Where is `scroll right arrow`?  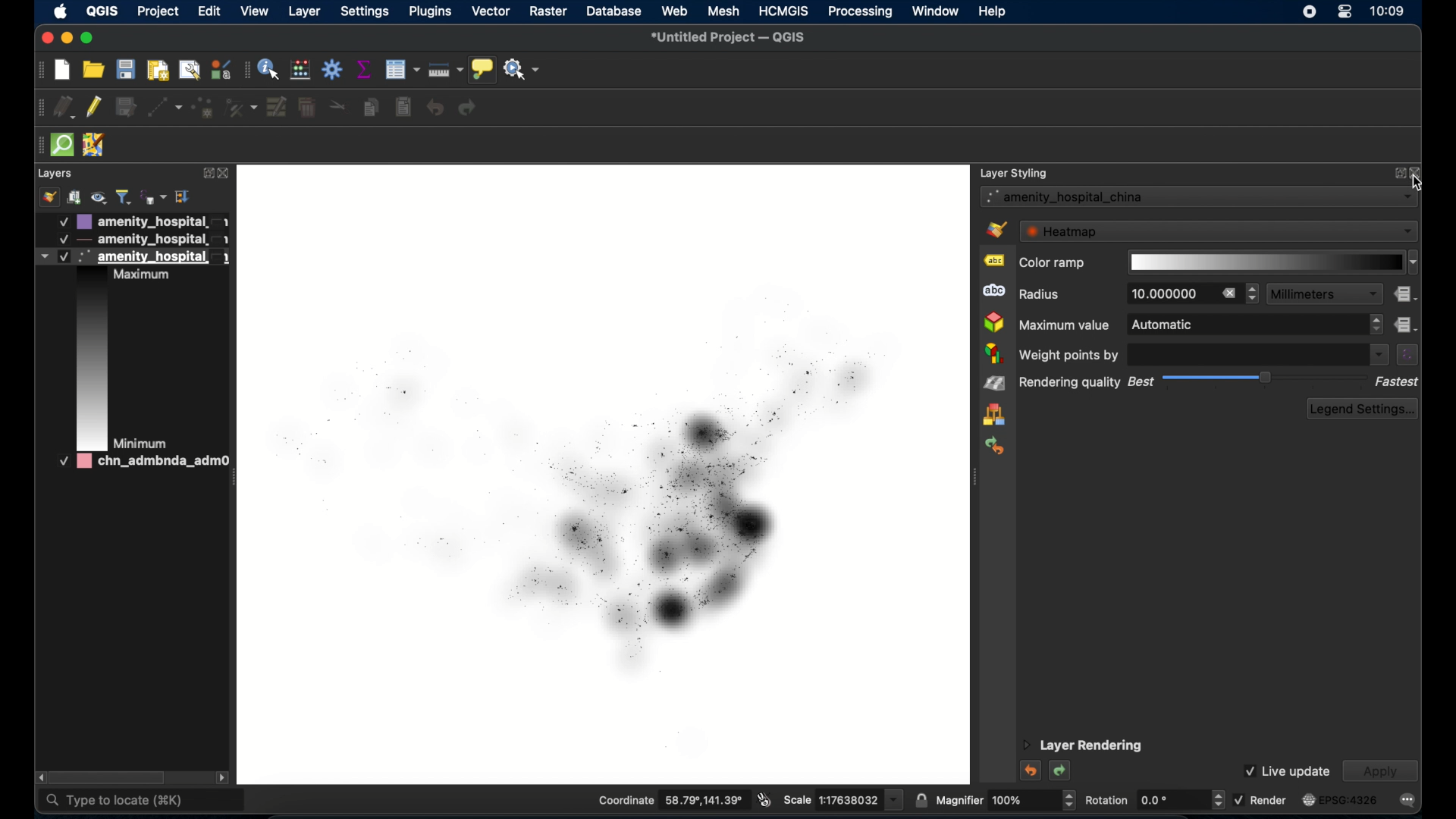
scroll right arrow is located at coordinates (224, 778).